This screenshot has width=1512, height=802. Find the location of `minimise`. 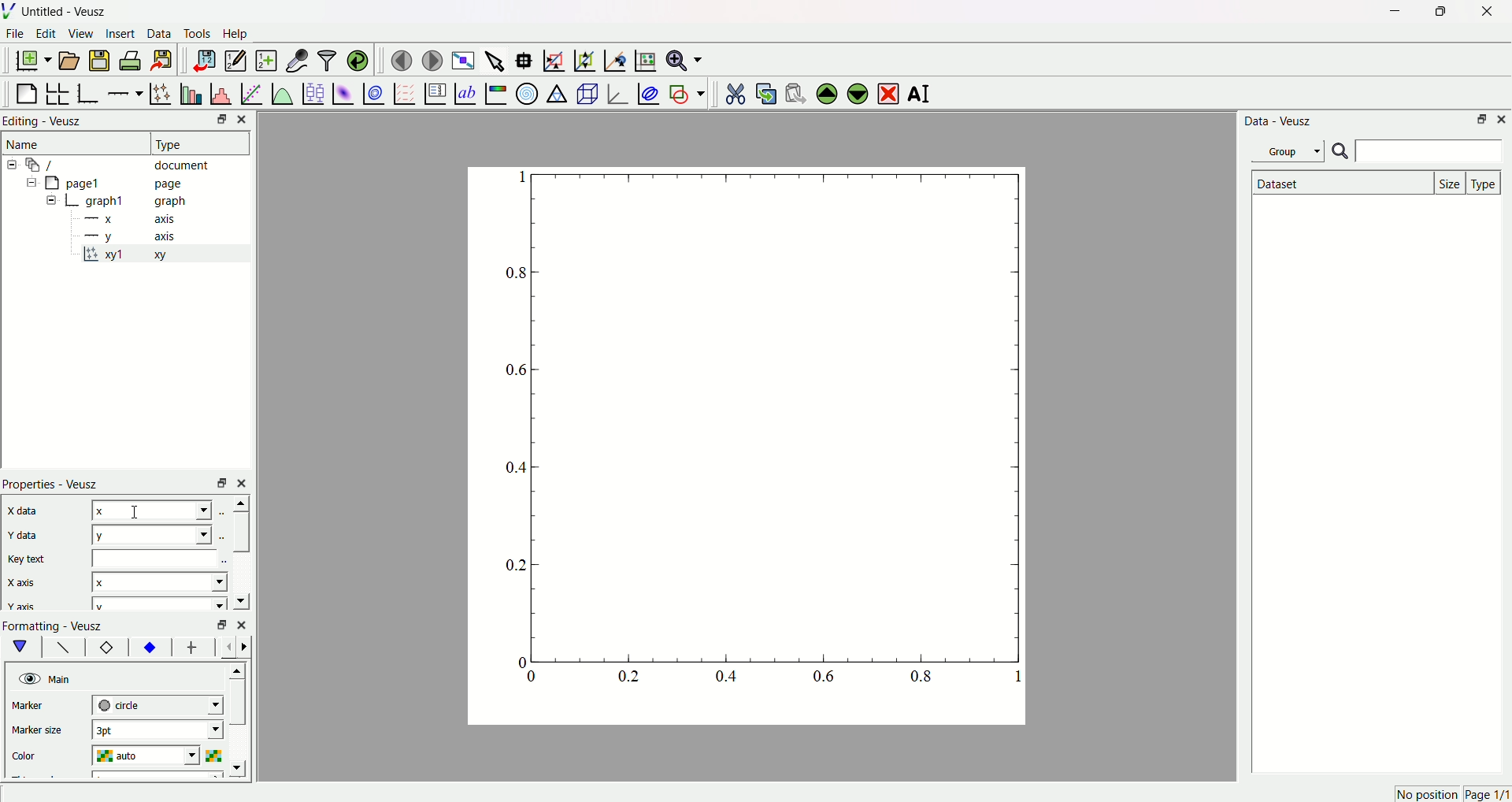

minimise is located at coordinates (217, 482).